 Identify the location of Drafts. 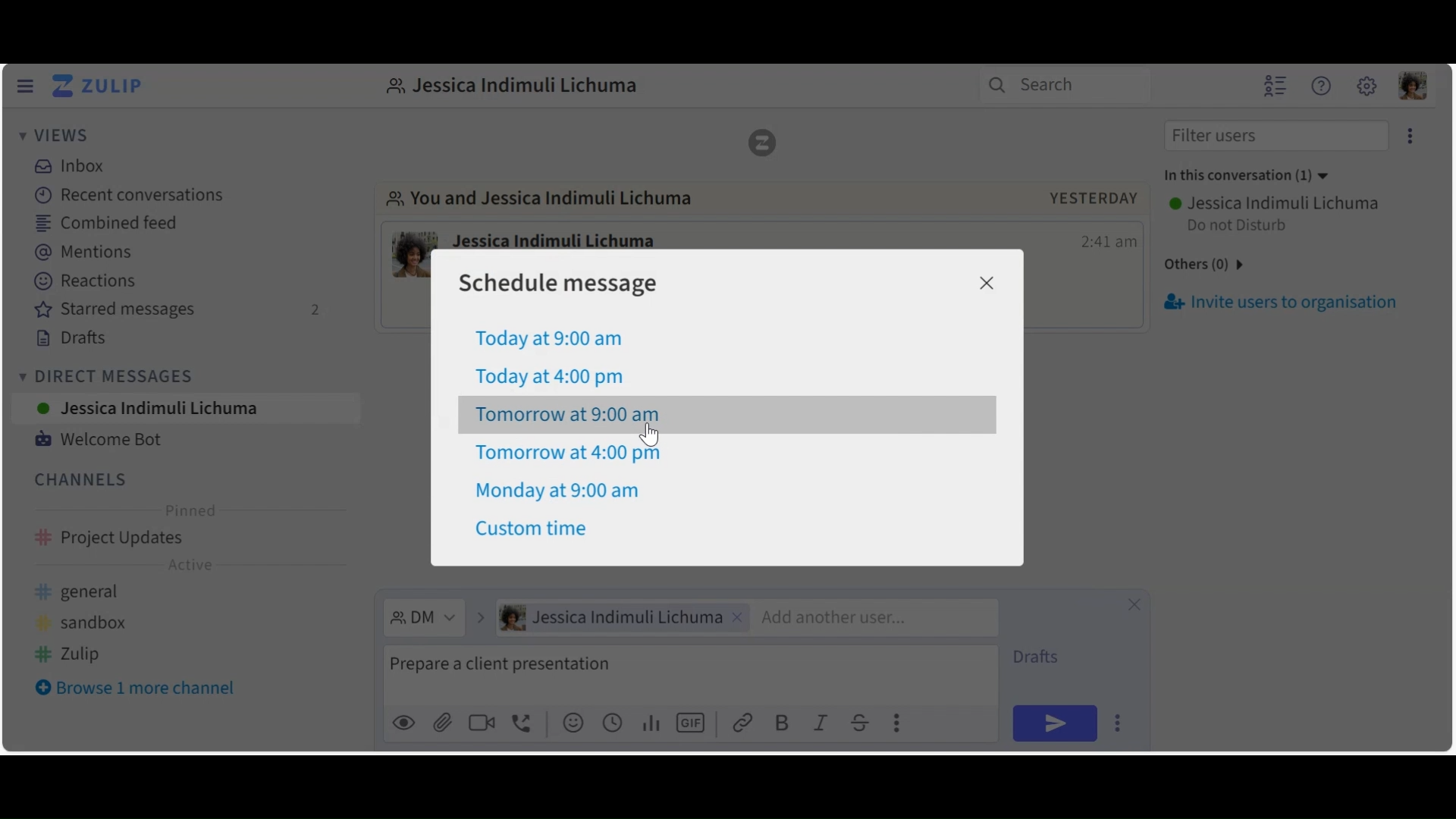
(1049, 654).